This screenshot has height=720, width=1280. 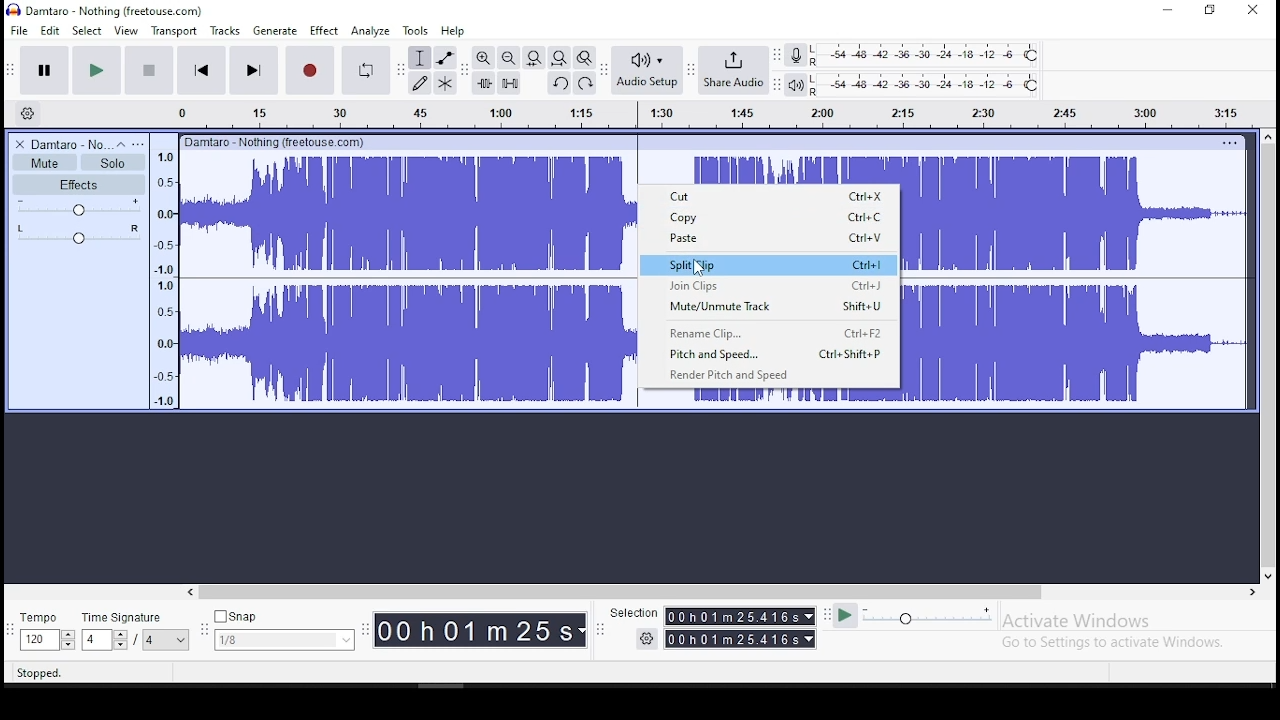 I want to click on toggle buttons, so click(x=105, y=640).